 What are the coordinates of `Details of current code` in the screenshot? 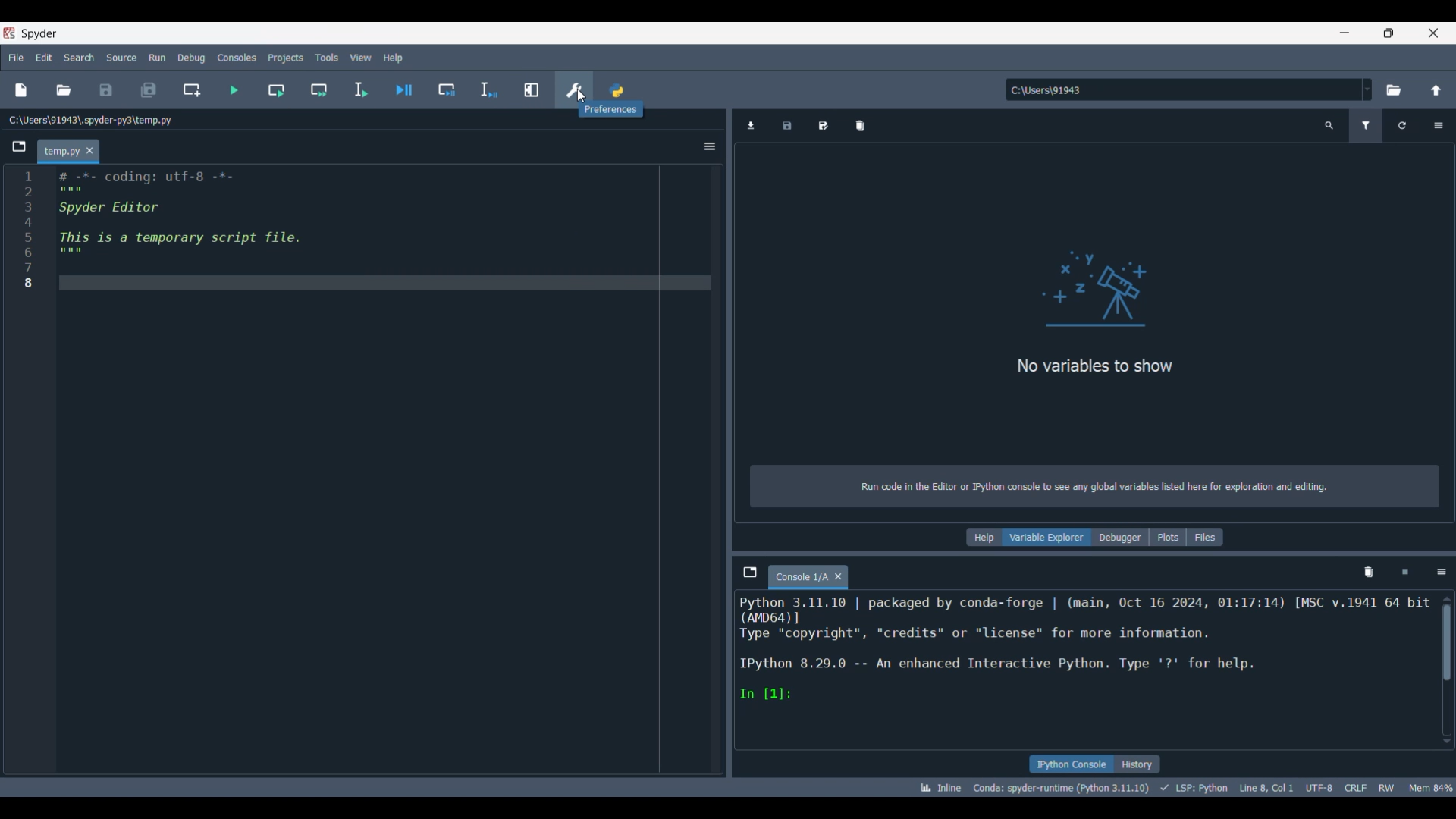 It's located at (1084, 646).